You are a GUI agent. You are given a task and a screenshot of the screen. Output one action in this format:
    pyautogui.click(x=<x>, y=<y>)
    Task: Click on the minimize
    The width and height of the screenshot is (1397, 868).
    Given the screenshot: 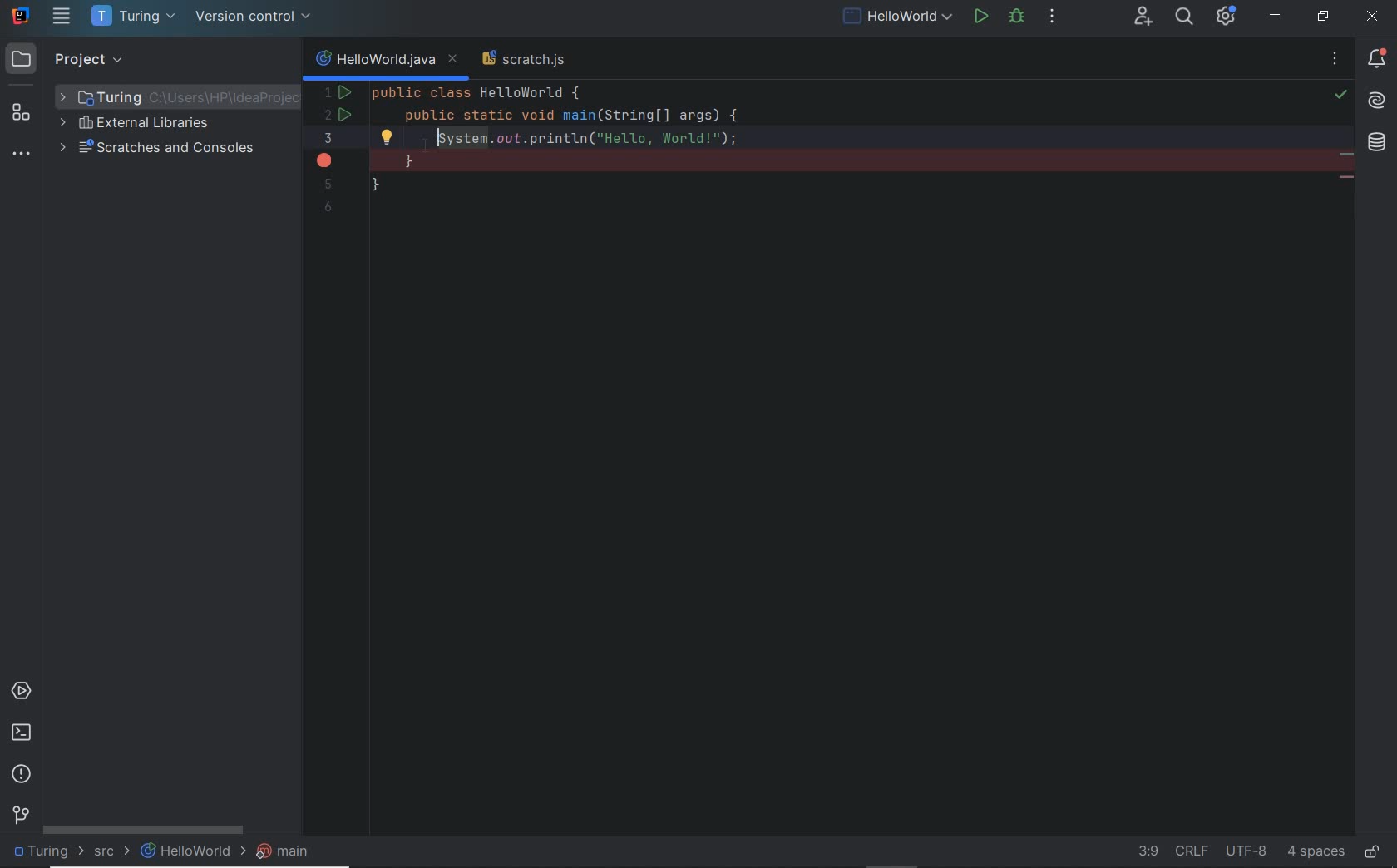 What is the action you would take?
    pyautogui.click(x=1277, y=16)
    